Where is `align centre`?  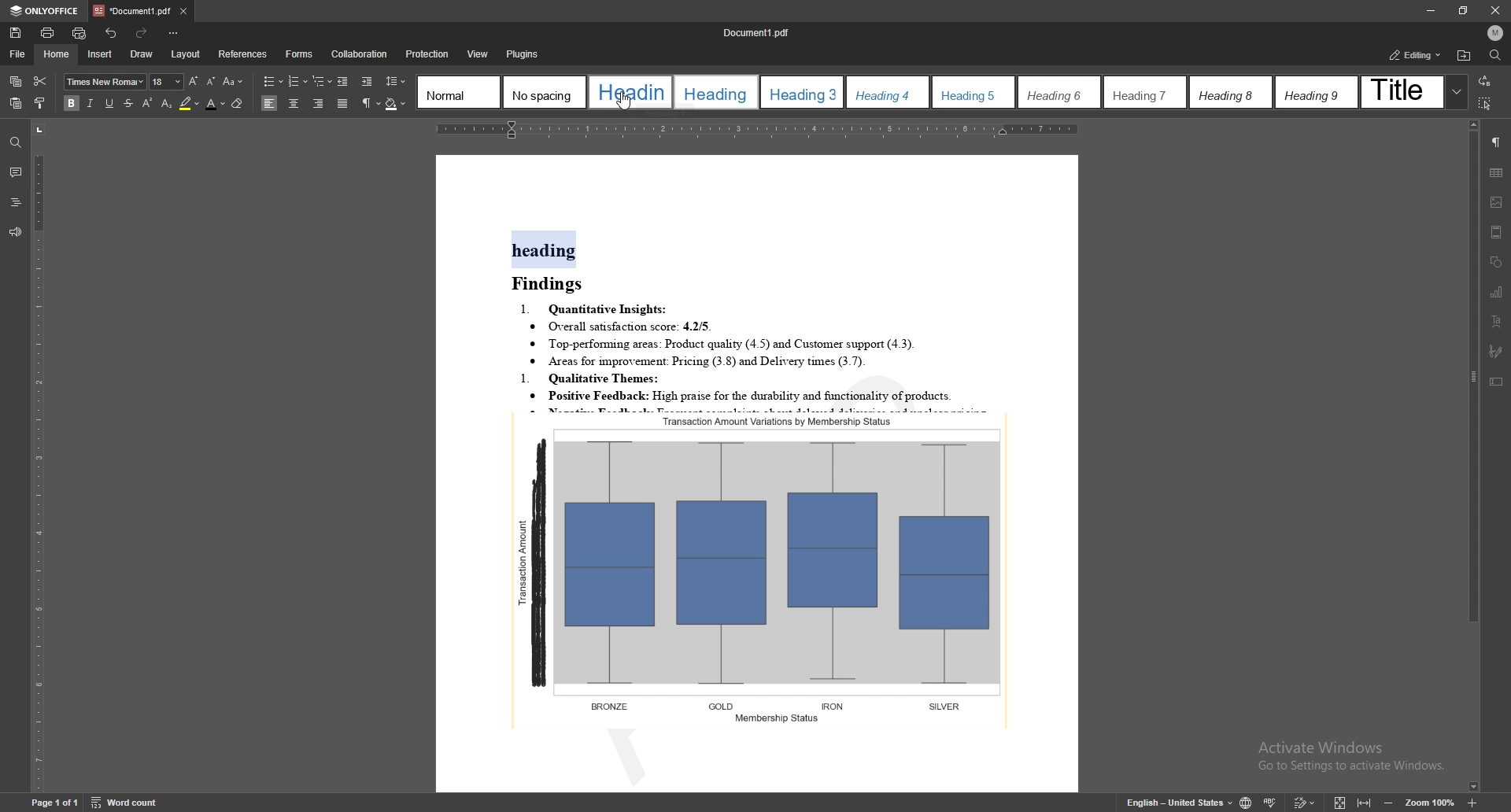 align centre is located at coordinates (294, 103).